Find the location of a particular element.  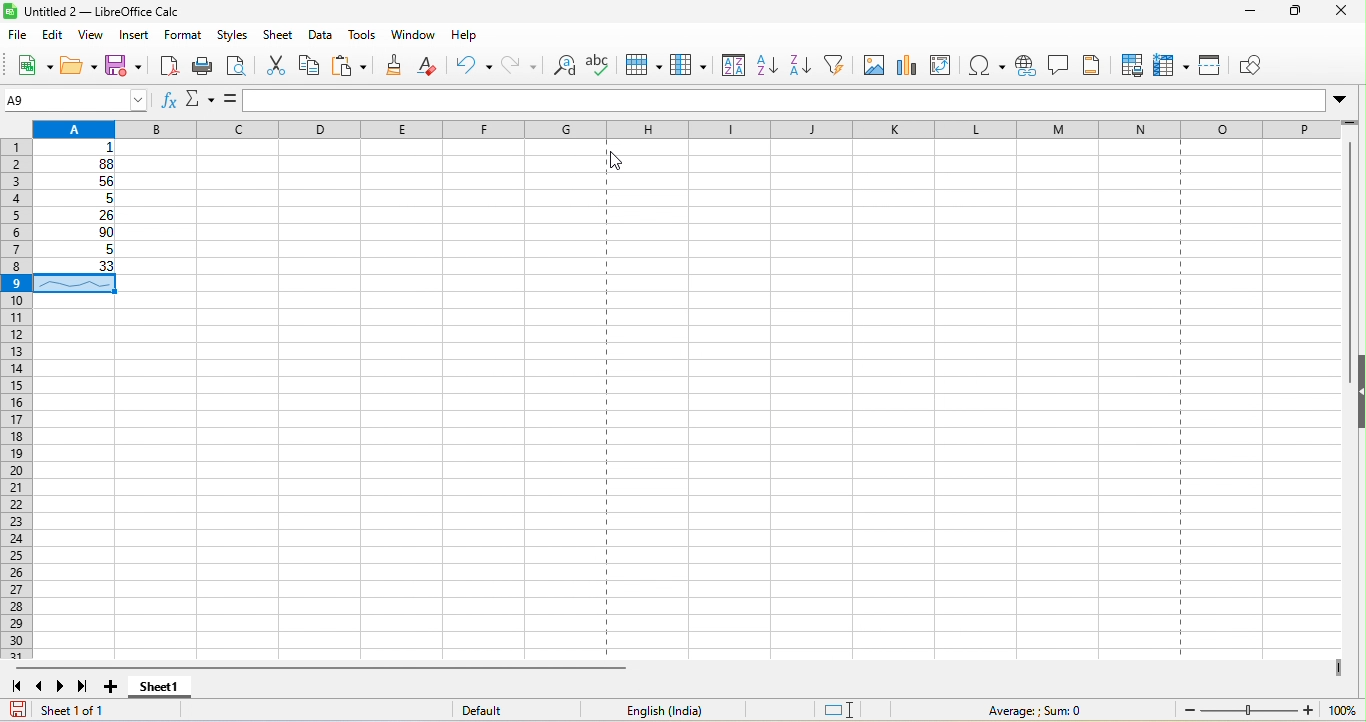

sort is located at coordinates (730, 67).